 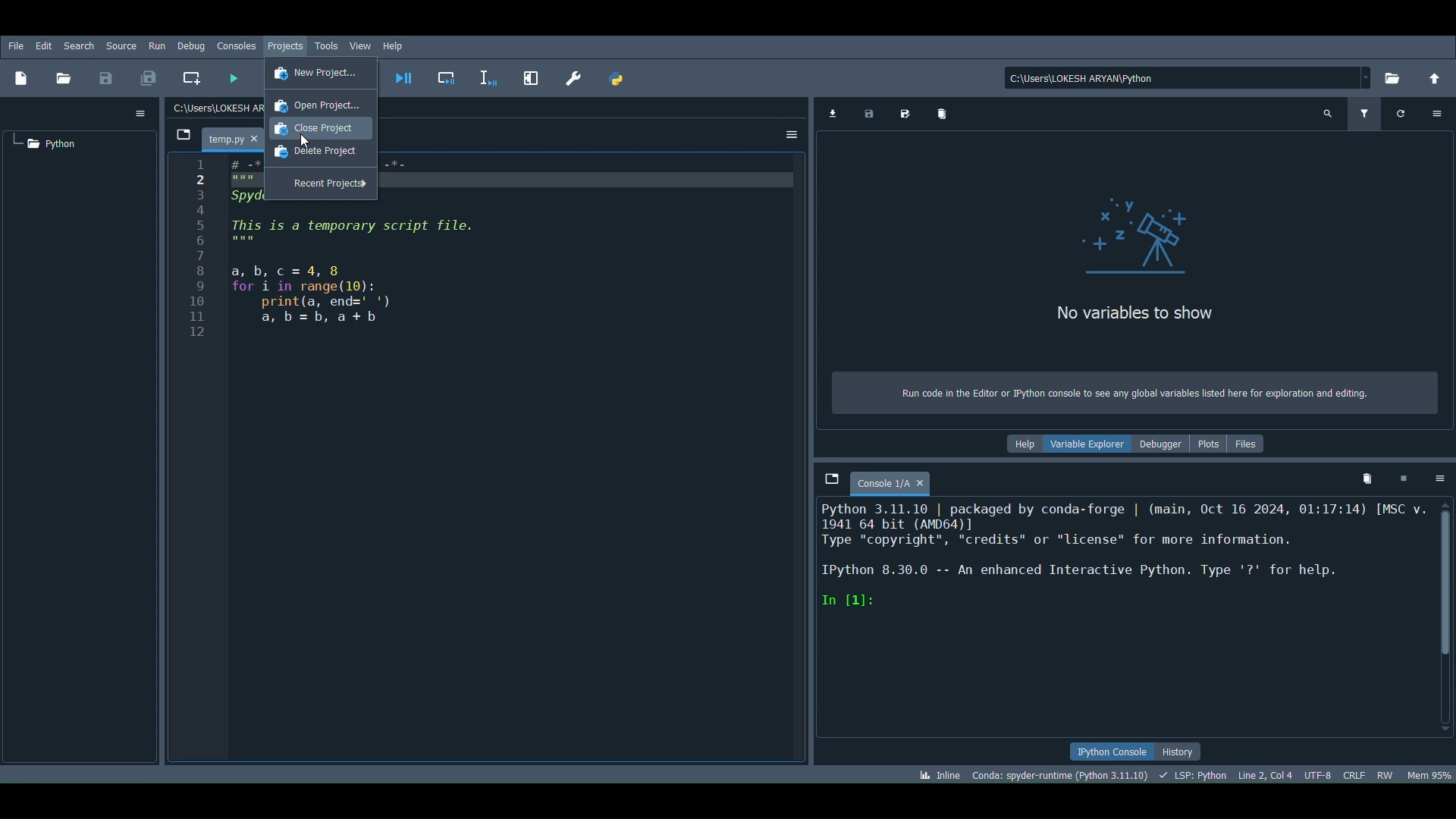 I want to click on Edit, so click(x=42, y=45).